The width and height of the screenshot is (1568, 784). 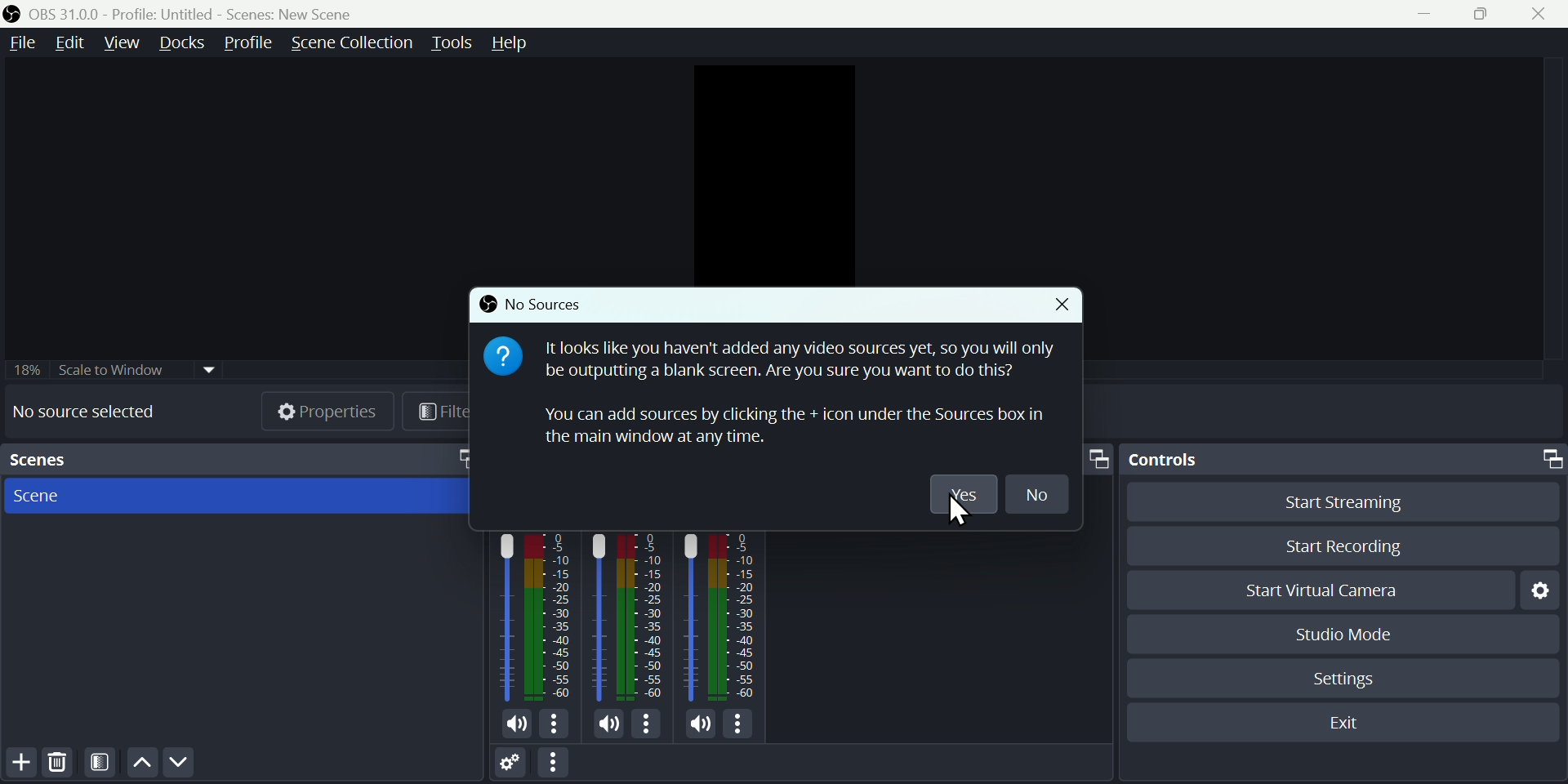 What do you see at coordinates (328, 409) in the screenshot?
I see `Properties` at bounding box center [328, 409].